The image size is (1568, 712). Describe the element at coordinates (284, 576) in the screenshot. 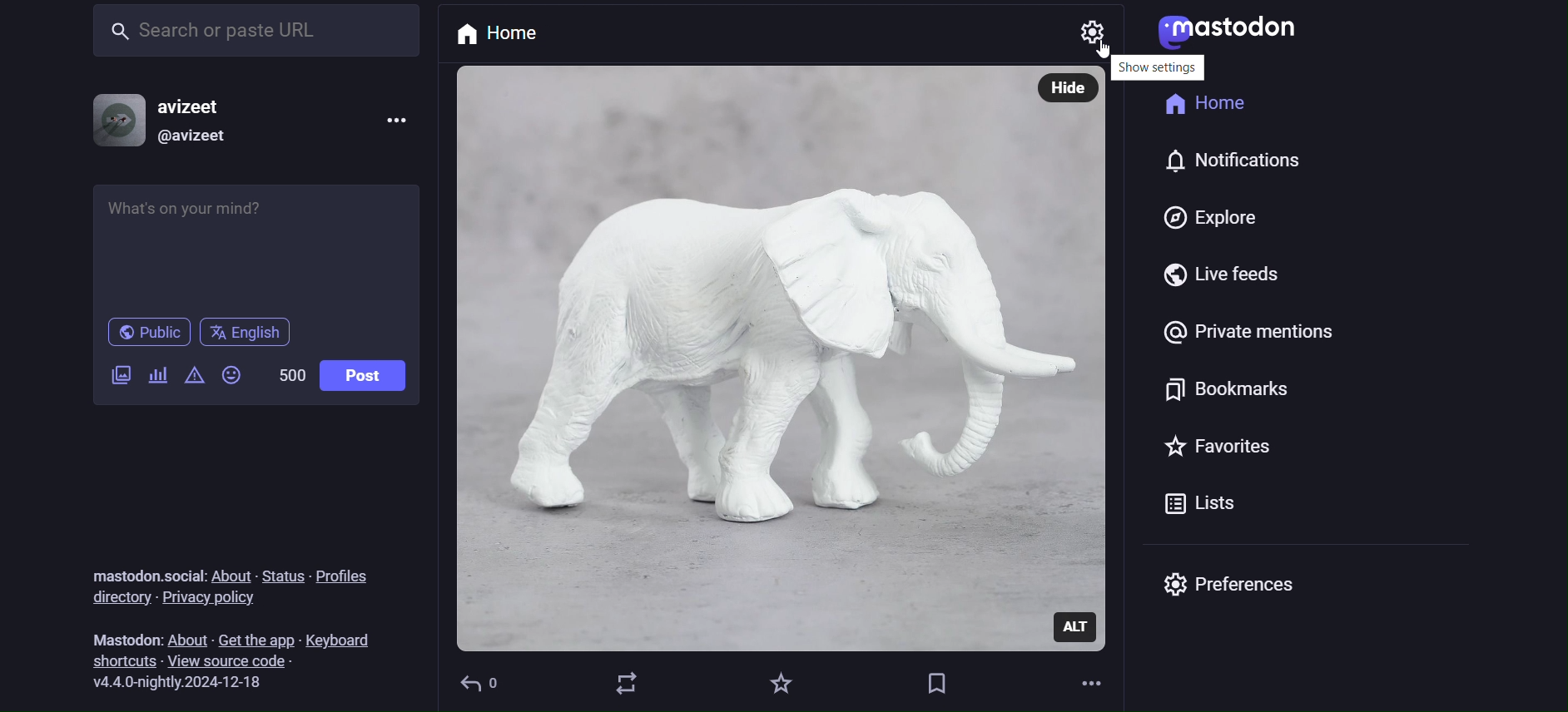

I see `status` at that location.